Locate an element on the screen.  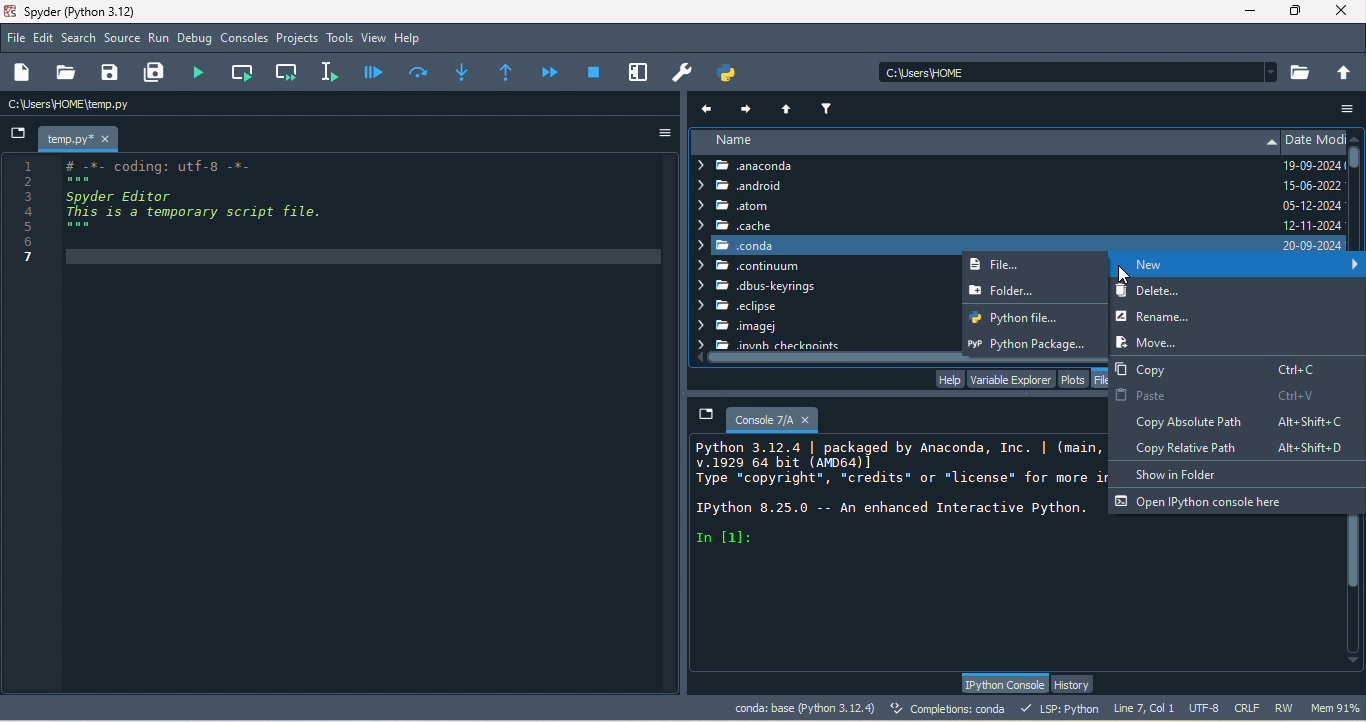
name is located at coordinates (983, 143).